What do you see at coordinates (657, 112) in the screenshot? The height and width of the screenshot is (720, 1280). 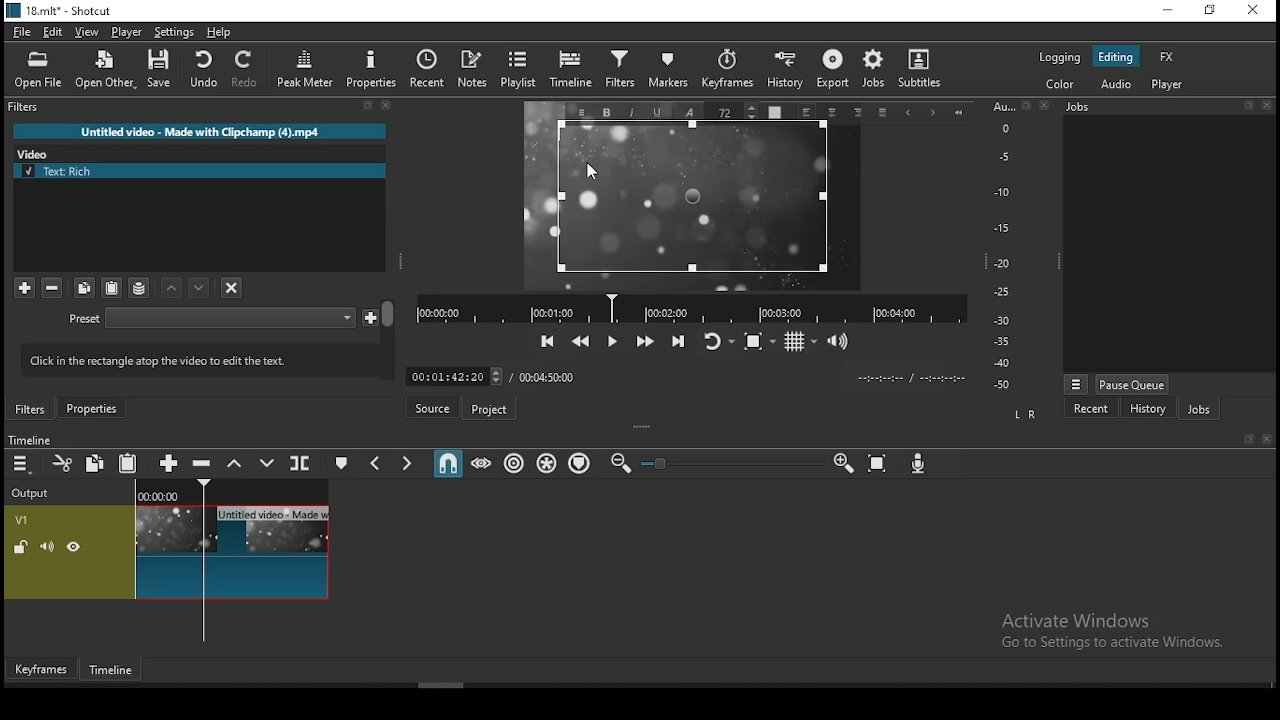 I see `Underline` at bounding box center [657, 112].